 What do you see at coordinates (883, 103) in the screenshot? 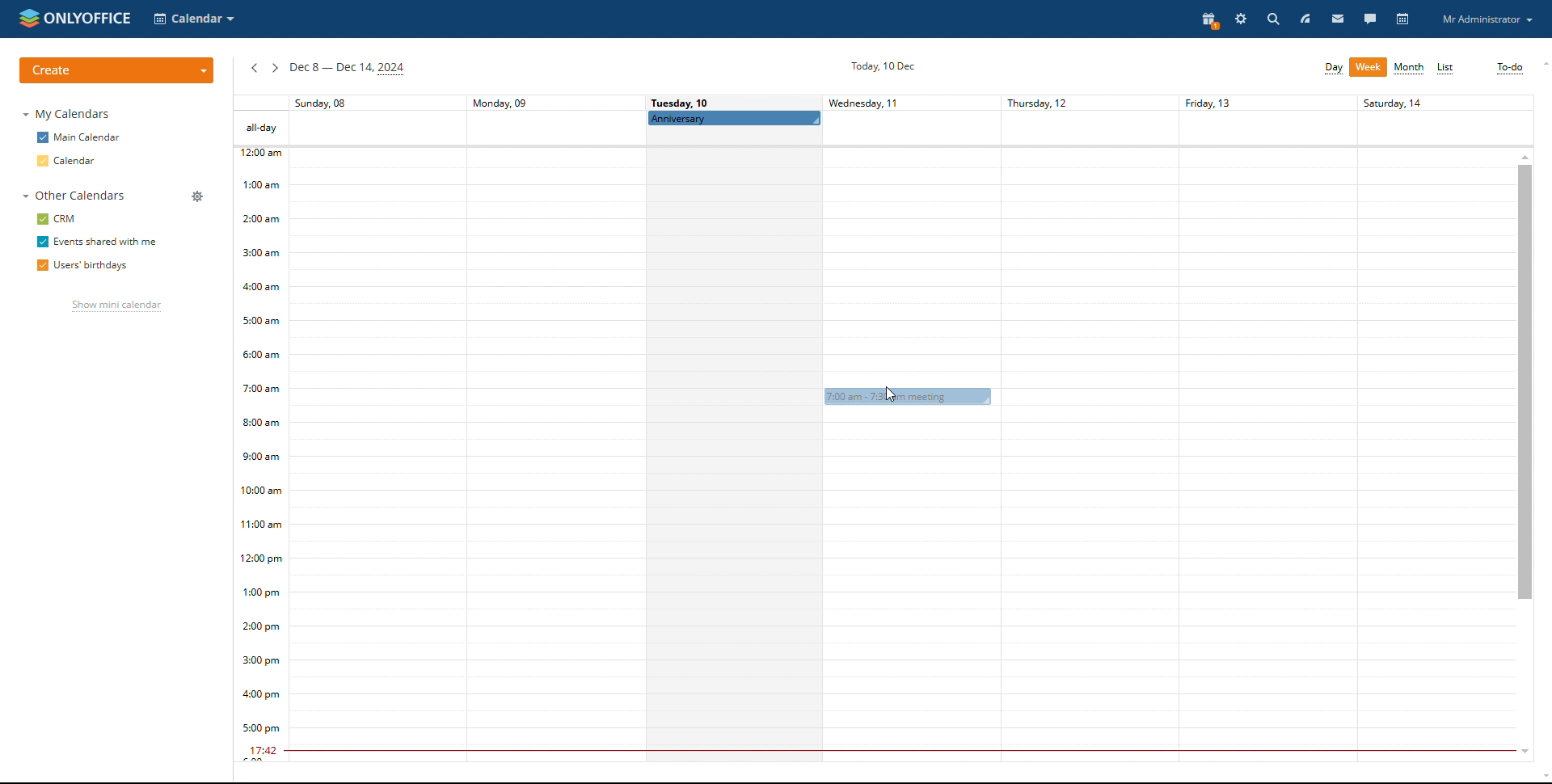
I see `days` at bounding box center [883, 103].